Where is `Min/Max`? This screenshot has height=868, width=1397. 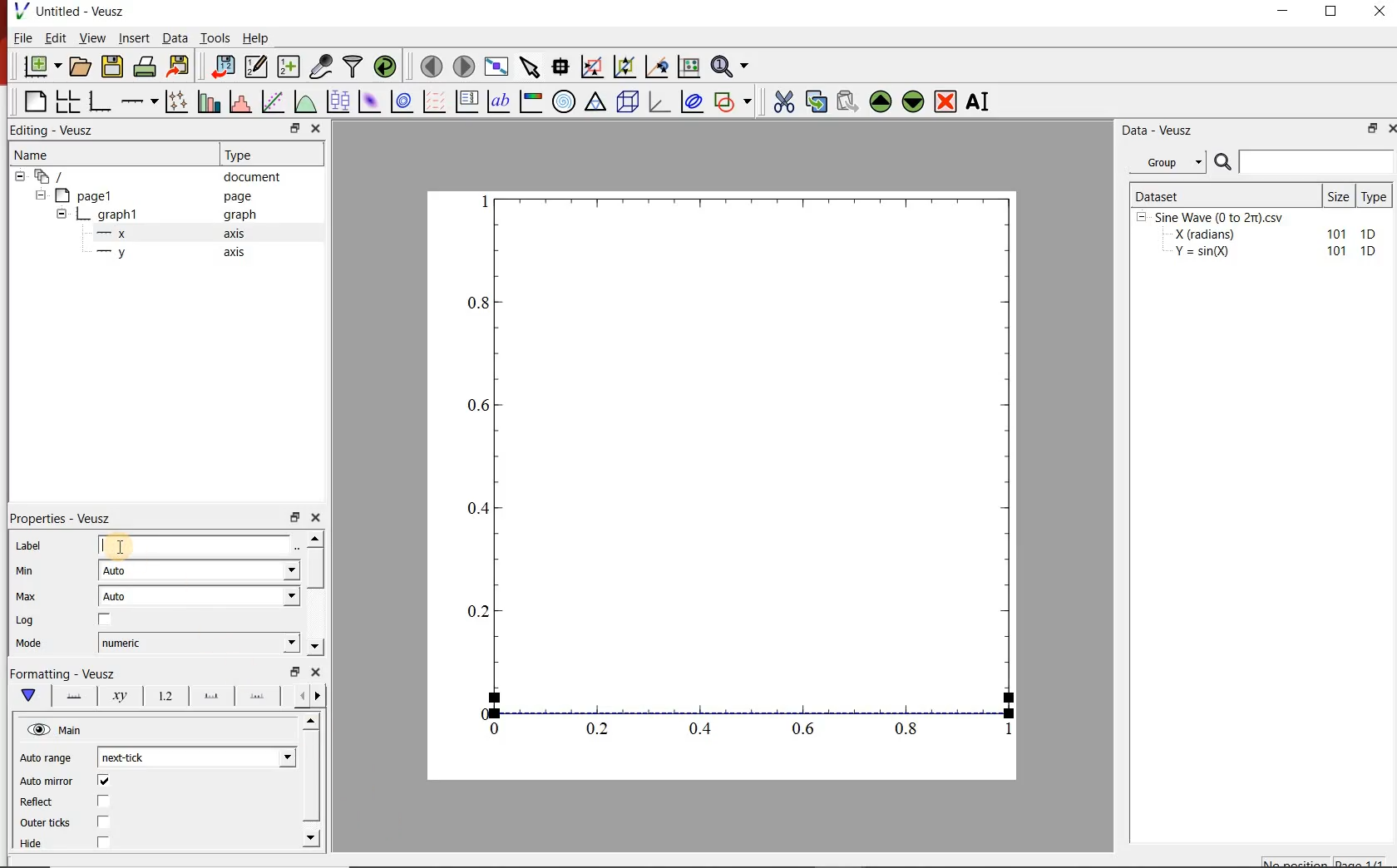 Min/Max is located at coordinates (295, 672).